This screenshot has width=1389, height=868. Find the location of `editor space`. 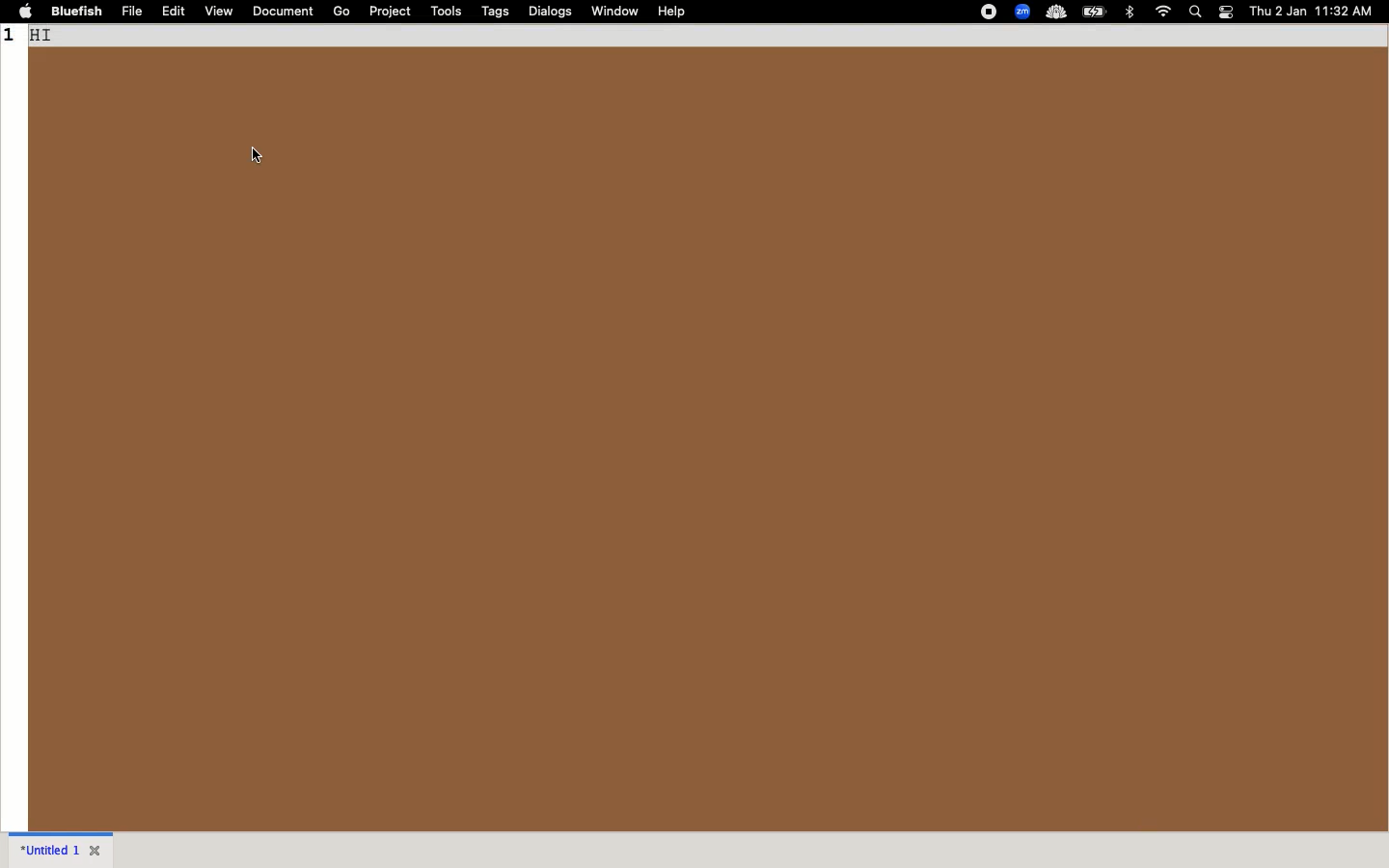

editor space is located at coordinates (706, 440).